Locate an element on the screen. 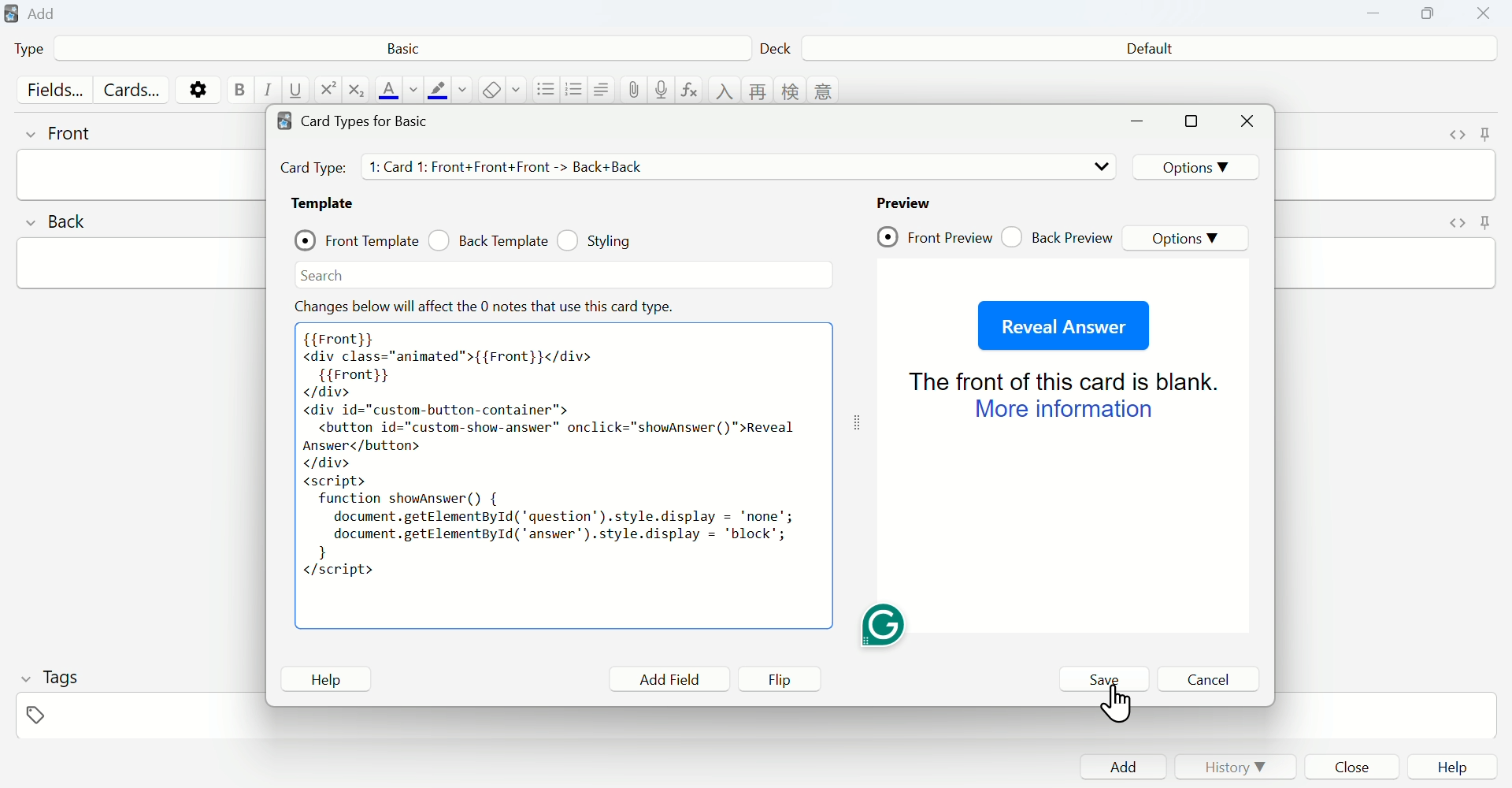 The height and width of the screenshot is (788, 1512). Save is located at coordinates (1104, 680).